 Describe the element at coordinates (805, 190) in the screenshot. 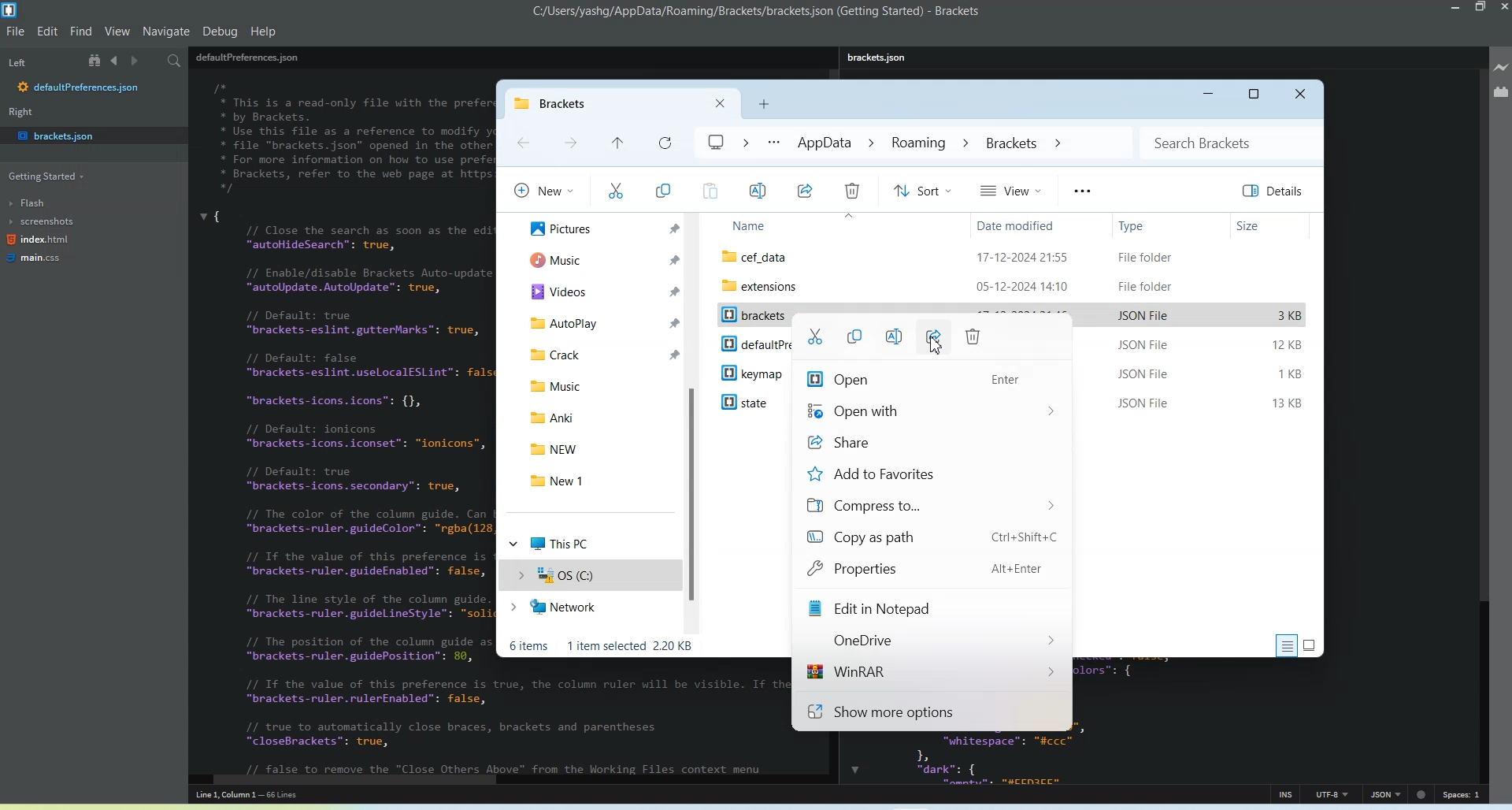

I see `Share` at that location.